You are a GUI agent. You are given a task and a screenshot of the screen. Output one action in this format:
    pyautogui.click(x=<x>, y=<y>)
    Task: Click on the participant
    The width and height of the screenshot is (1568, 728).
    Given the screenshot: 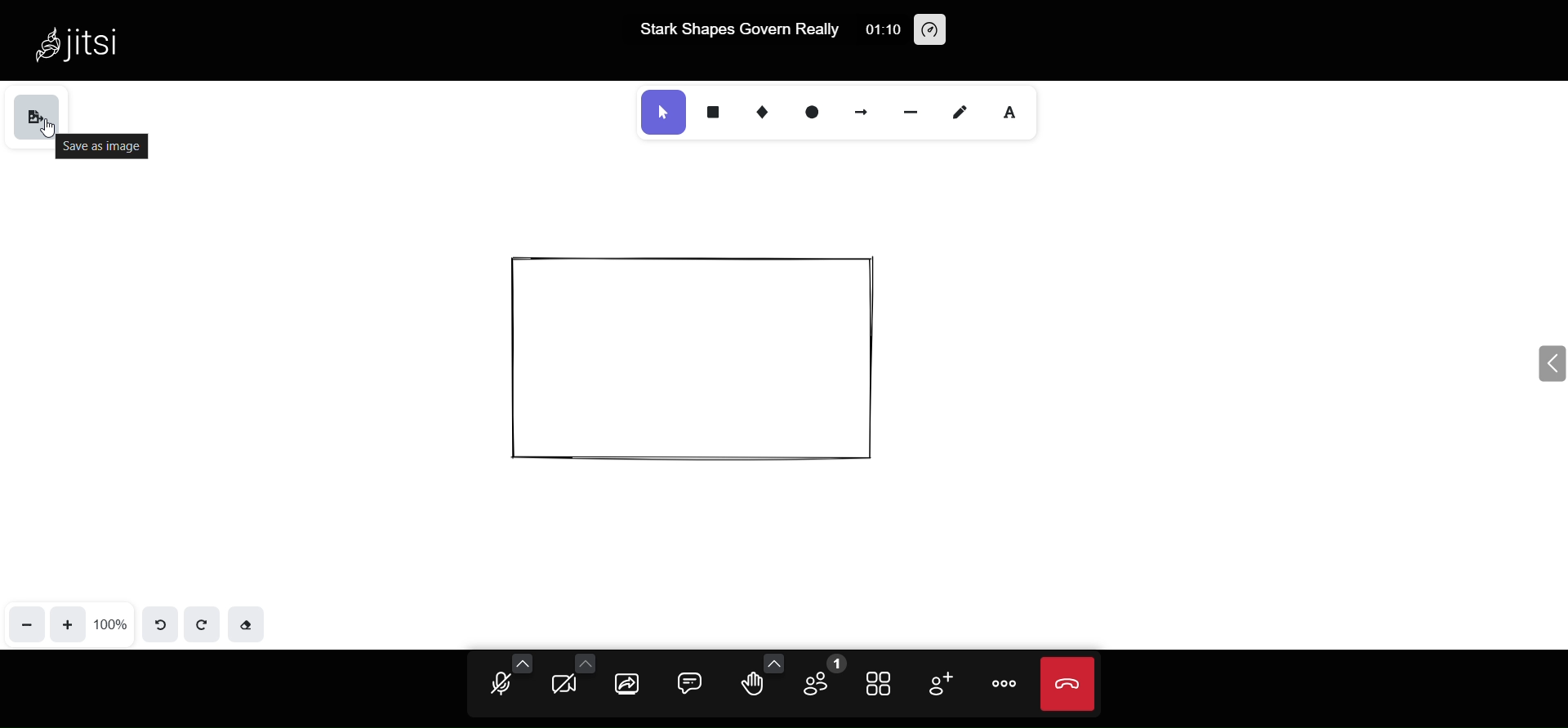 What is the action you would take?
    pyautogui.click(x=820, y=680)
    